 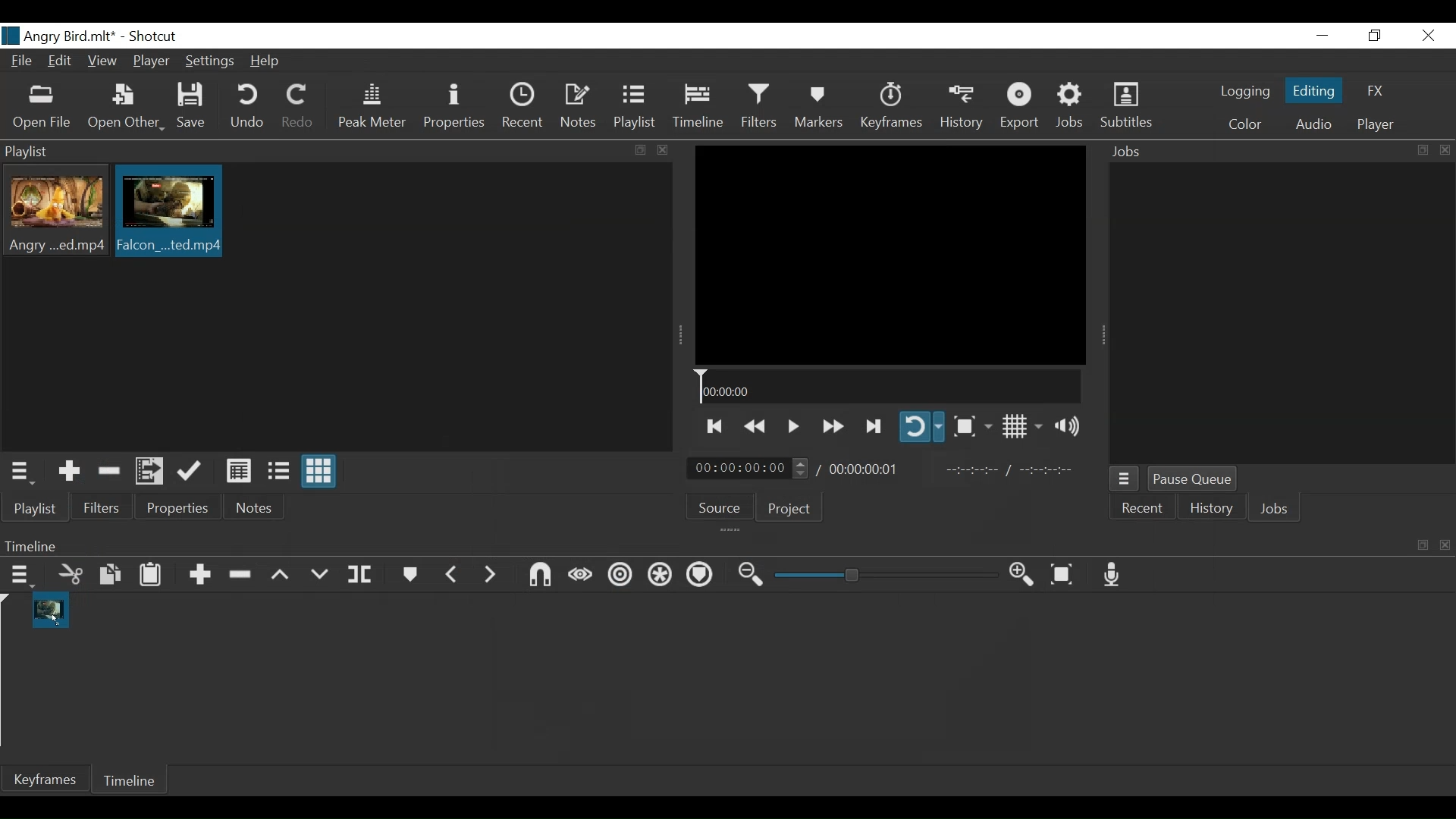 What do you see at coordinates (211, 63) in the screenshot?
I see `Settings` at bounding box center [211, 63].